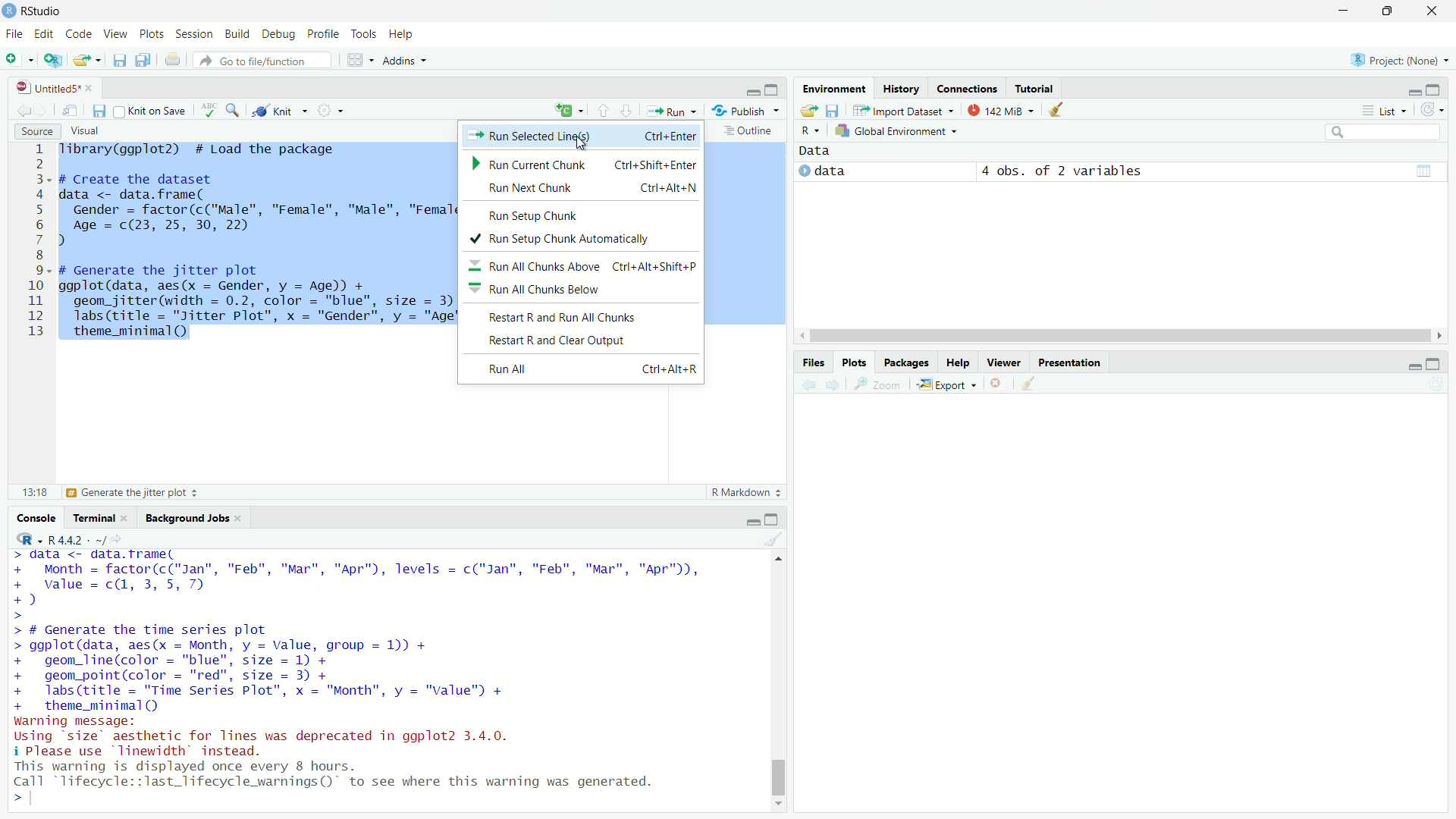 The image size is (1456, 819). I want to click on export, so click(949, 385).